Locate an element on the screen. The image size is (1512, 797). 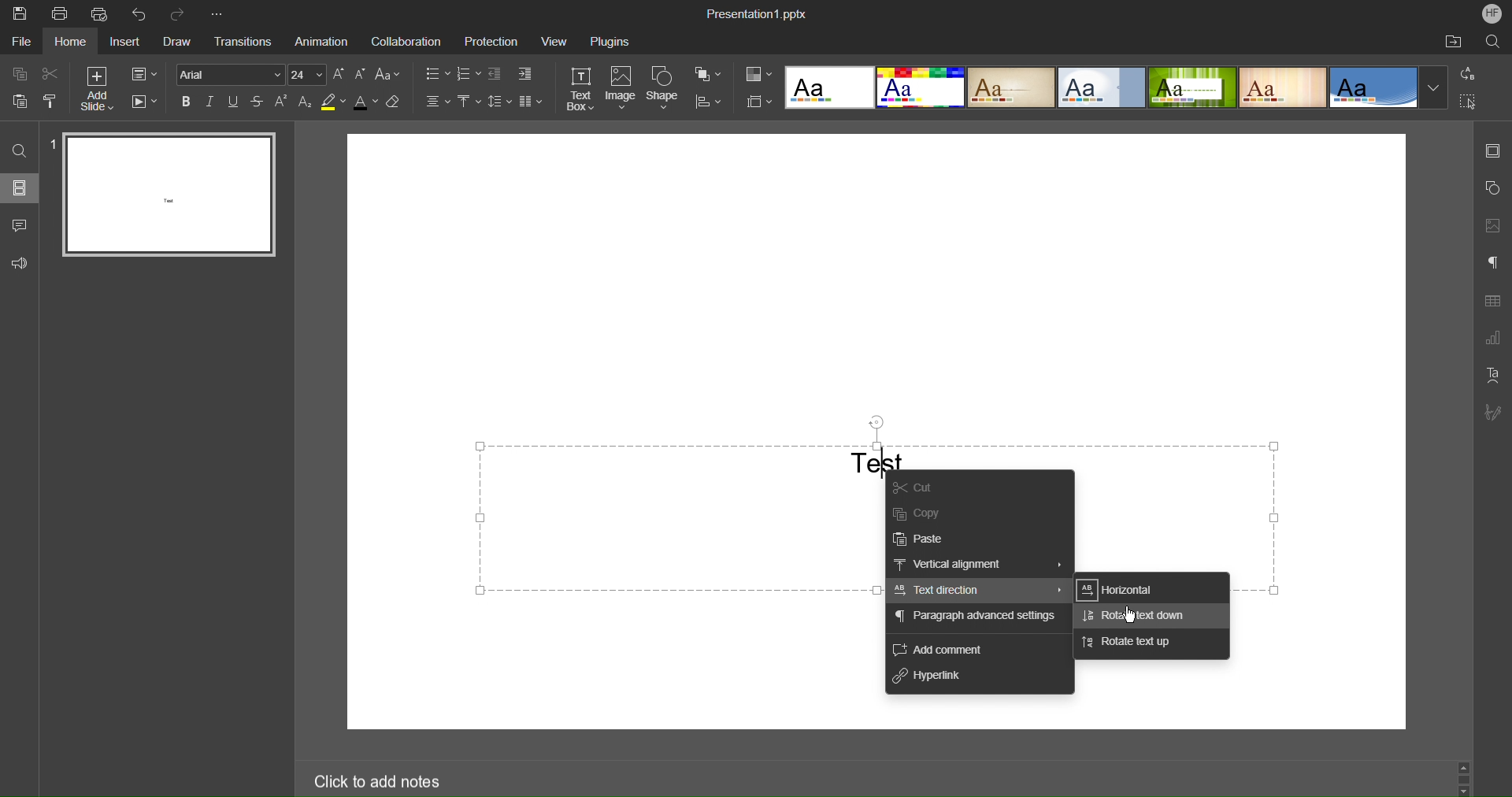
Protection is located at coordinates (487, 40).